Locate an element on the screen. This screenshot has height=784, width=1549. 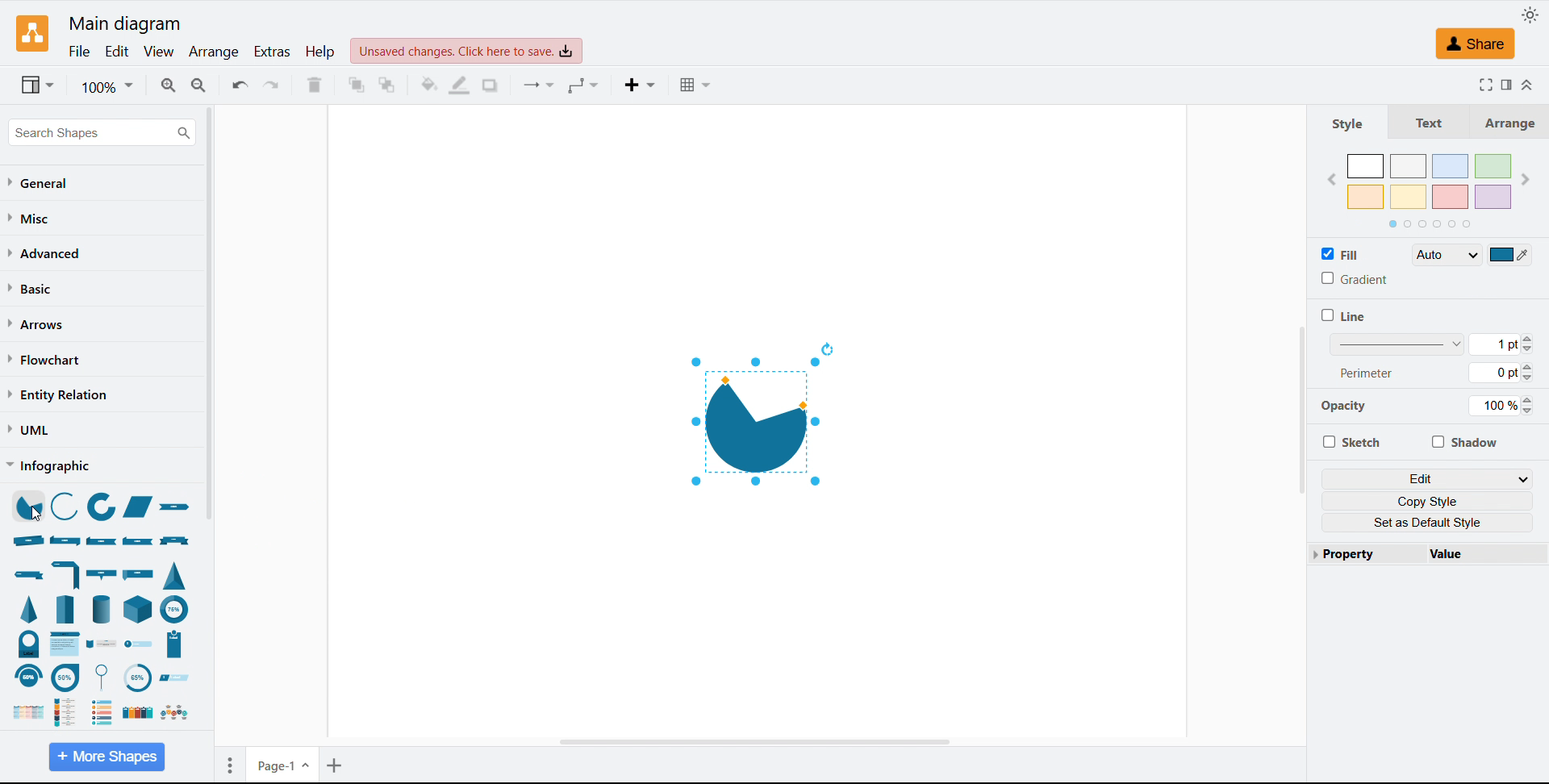
Collapse  is located at coordinates (1529, 85).